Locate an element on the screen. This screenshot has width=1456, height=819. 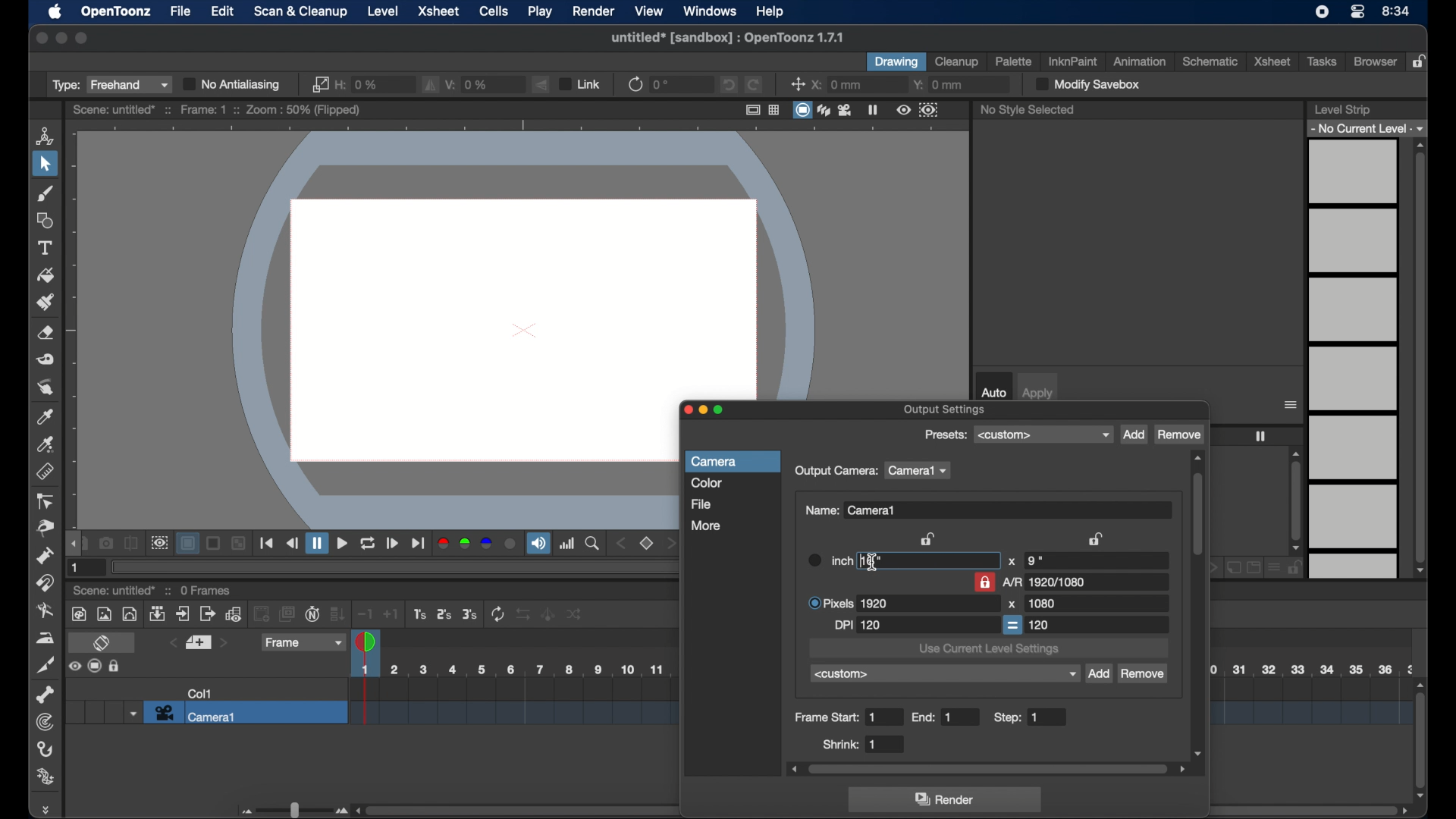
output settings is located at coordinates (946, 410).